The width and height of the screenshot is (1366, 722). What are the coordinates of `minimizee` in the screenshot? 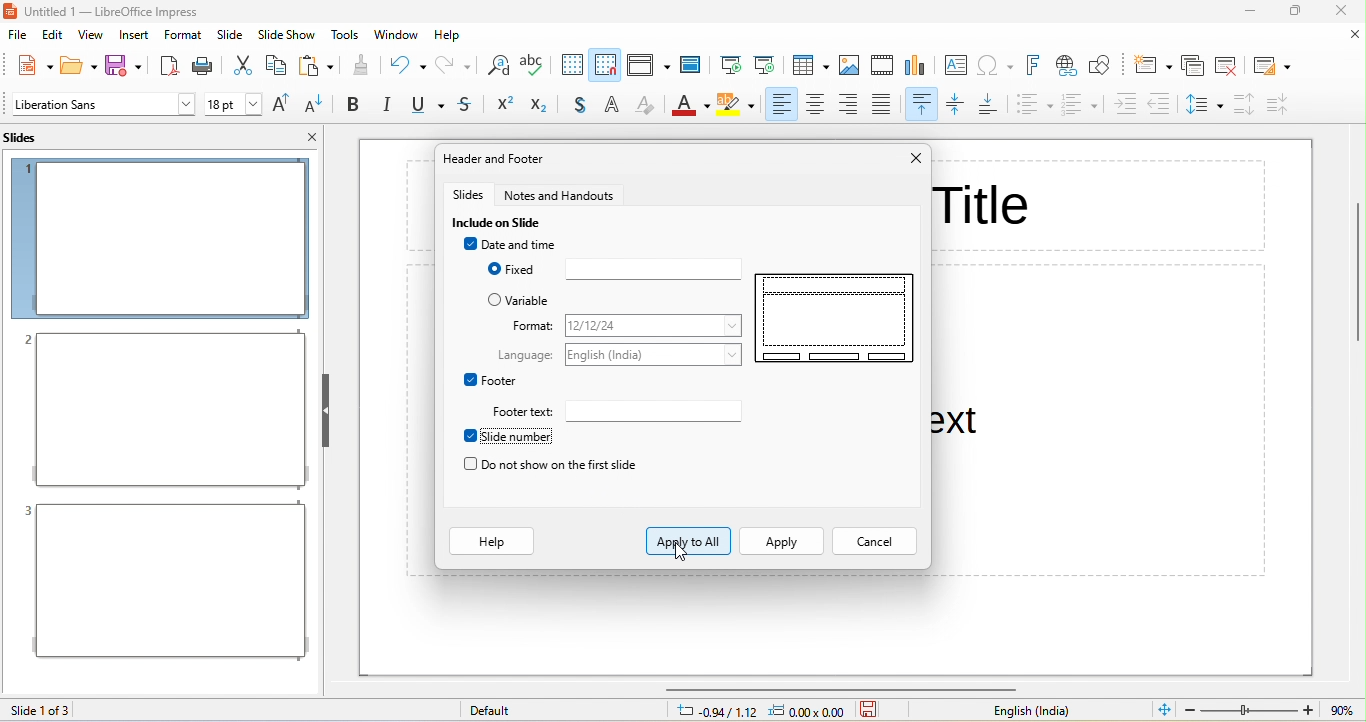 It's located at (1252, 11).